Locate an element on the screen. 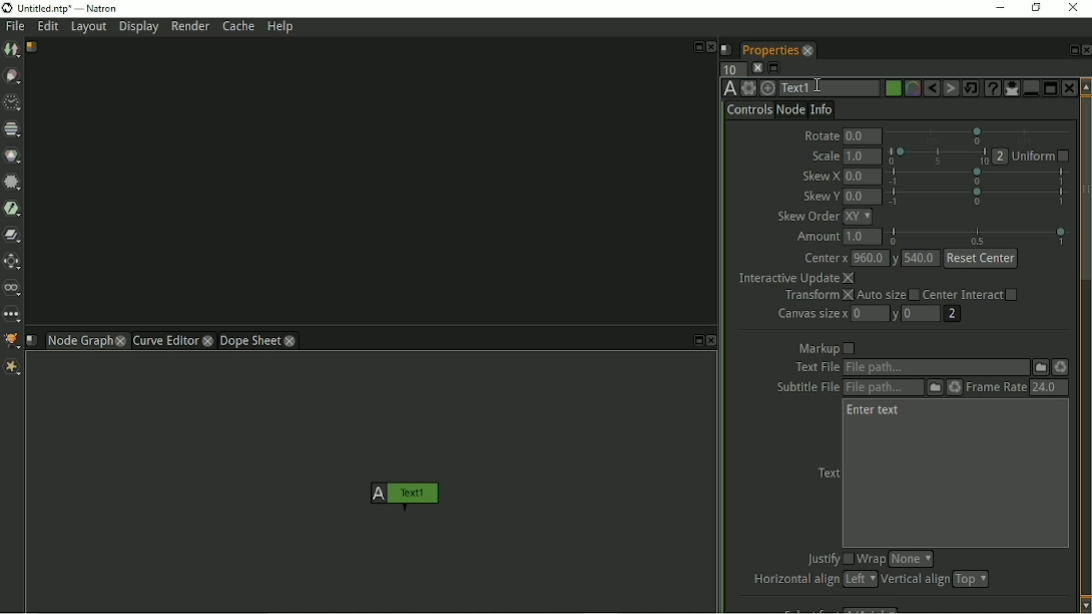  Undo is located at coordinates (931, 89).